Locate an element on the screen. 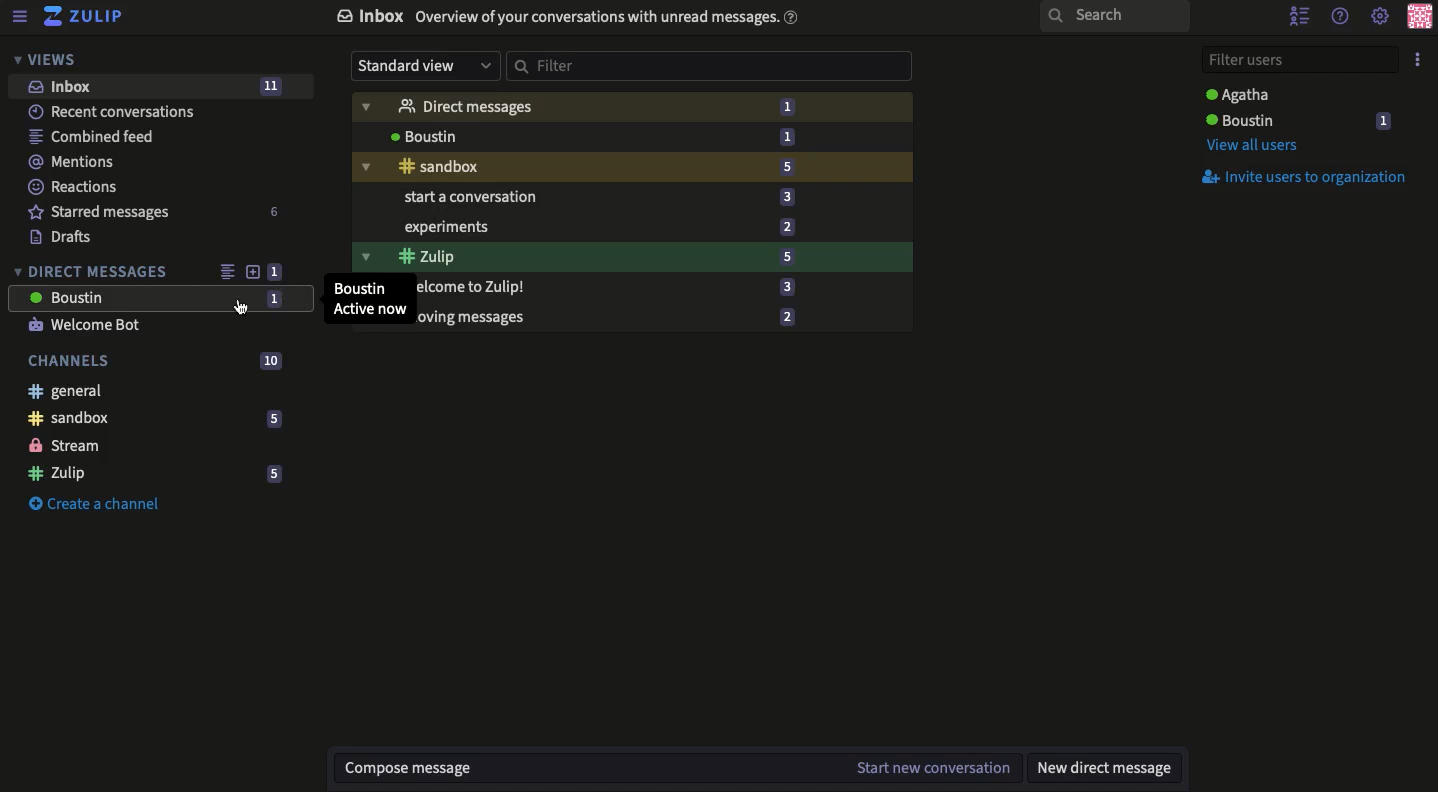  Welcome bot is located at coordinates (90, 326).